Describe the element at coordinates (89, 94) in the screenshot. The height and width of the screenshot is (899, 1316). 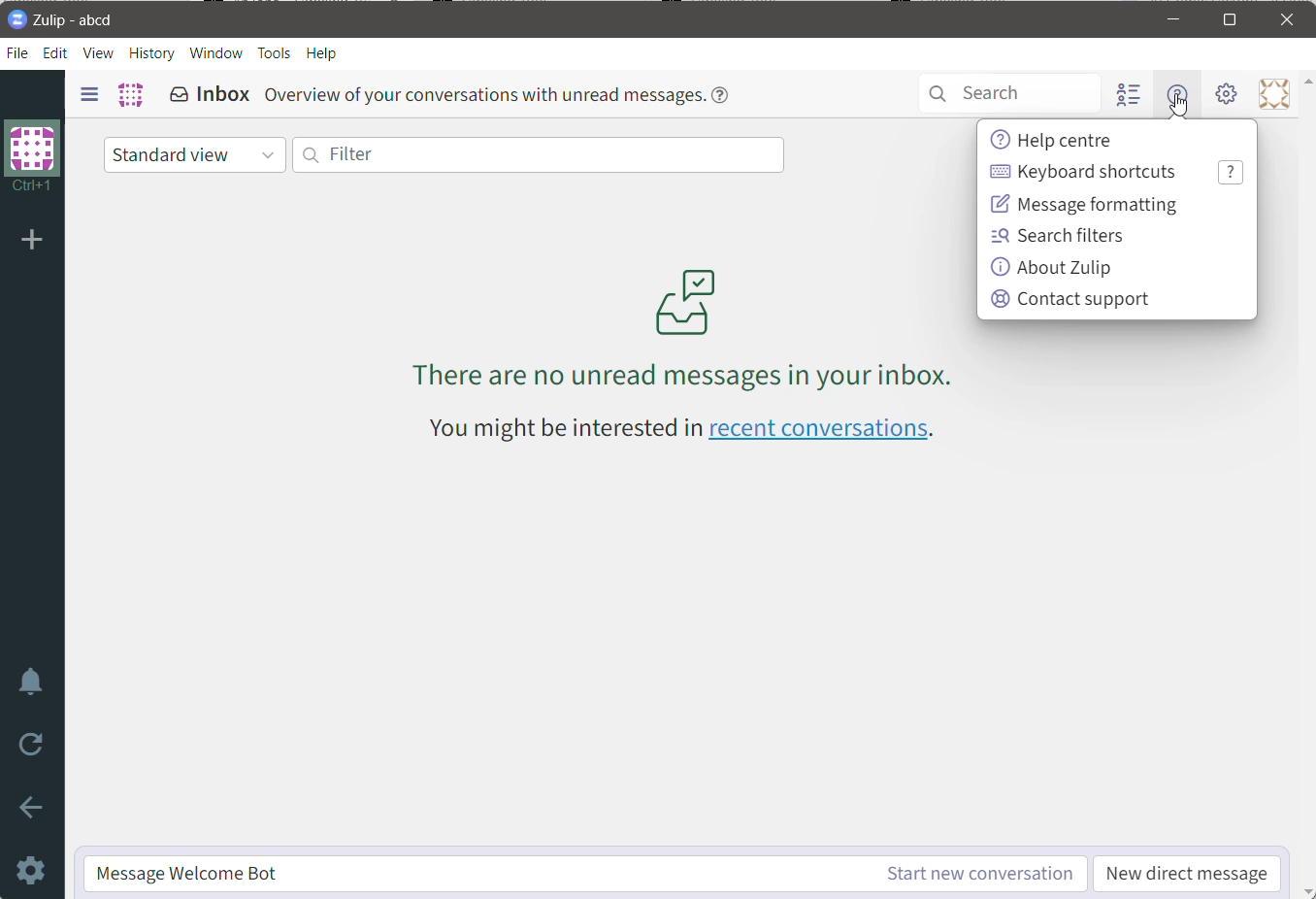
I see `Show/Hide left sidebar` at that location.